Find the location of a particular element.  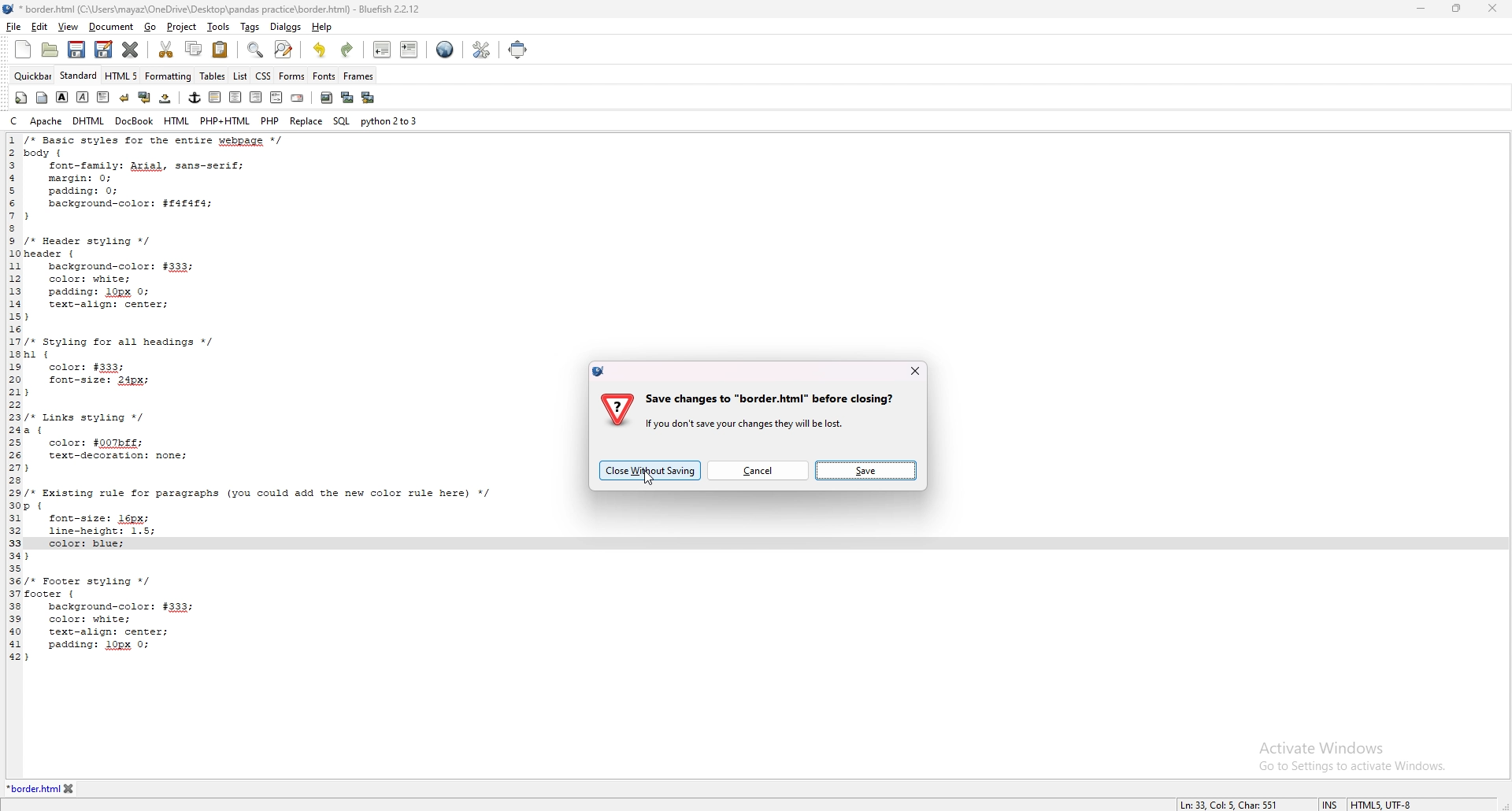

edit preference is located at coordinates (480, 50).